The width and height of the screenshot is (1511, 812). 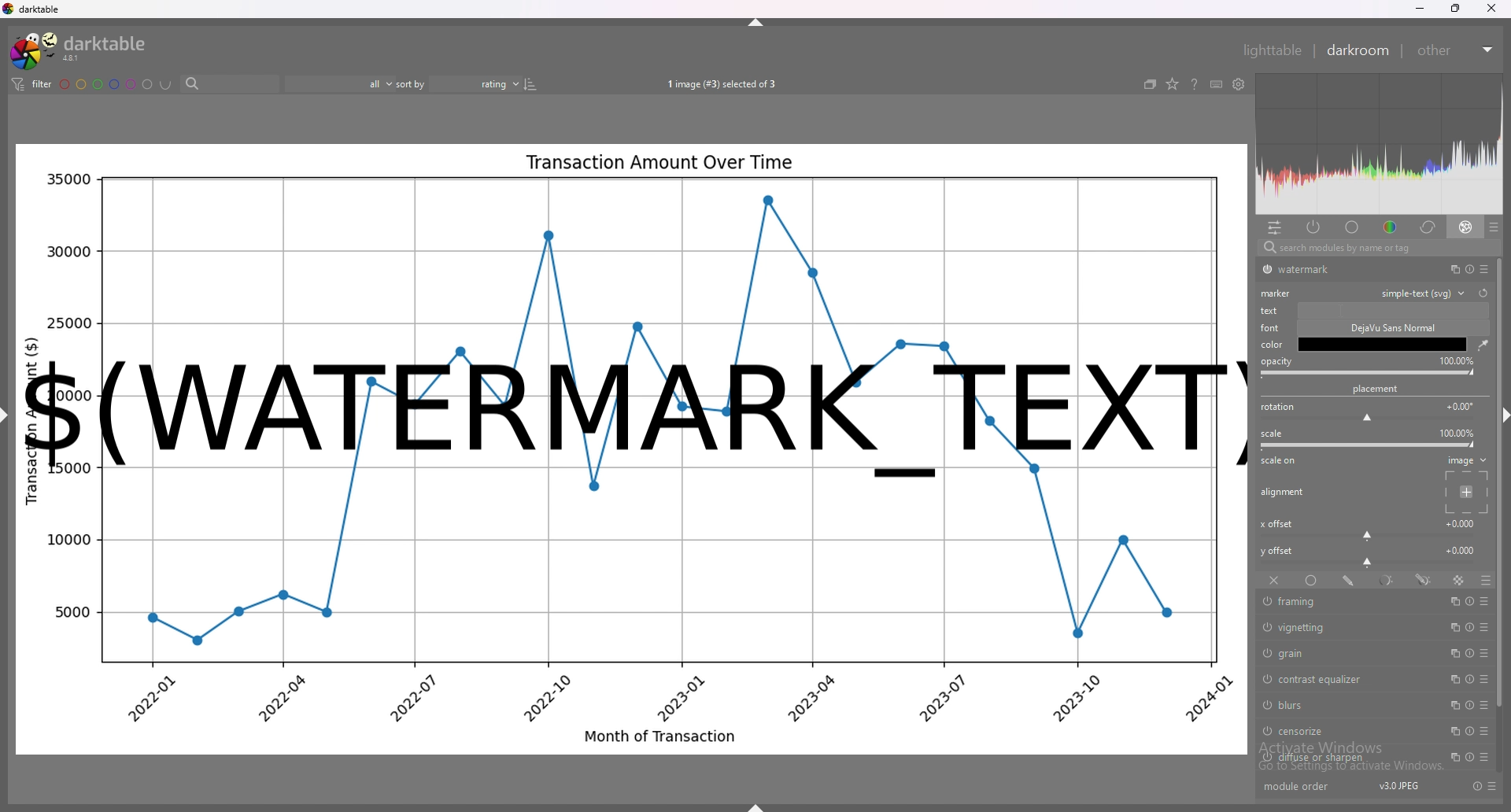 I want to click on multiple instances action, so click(x=1453, y=680).